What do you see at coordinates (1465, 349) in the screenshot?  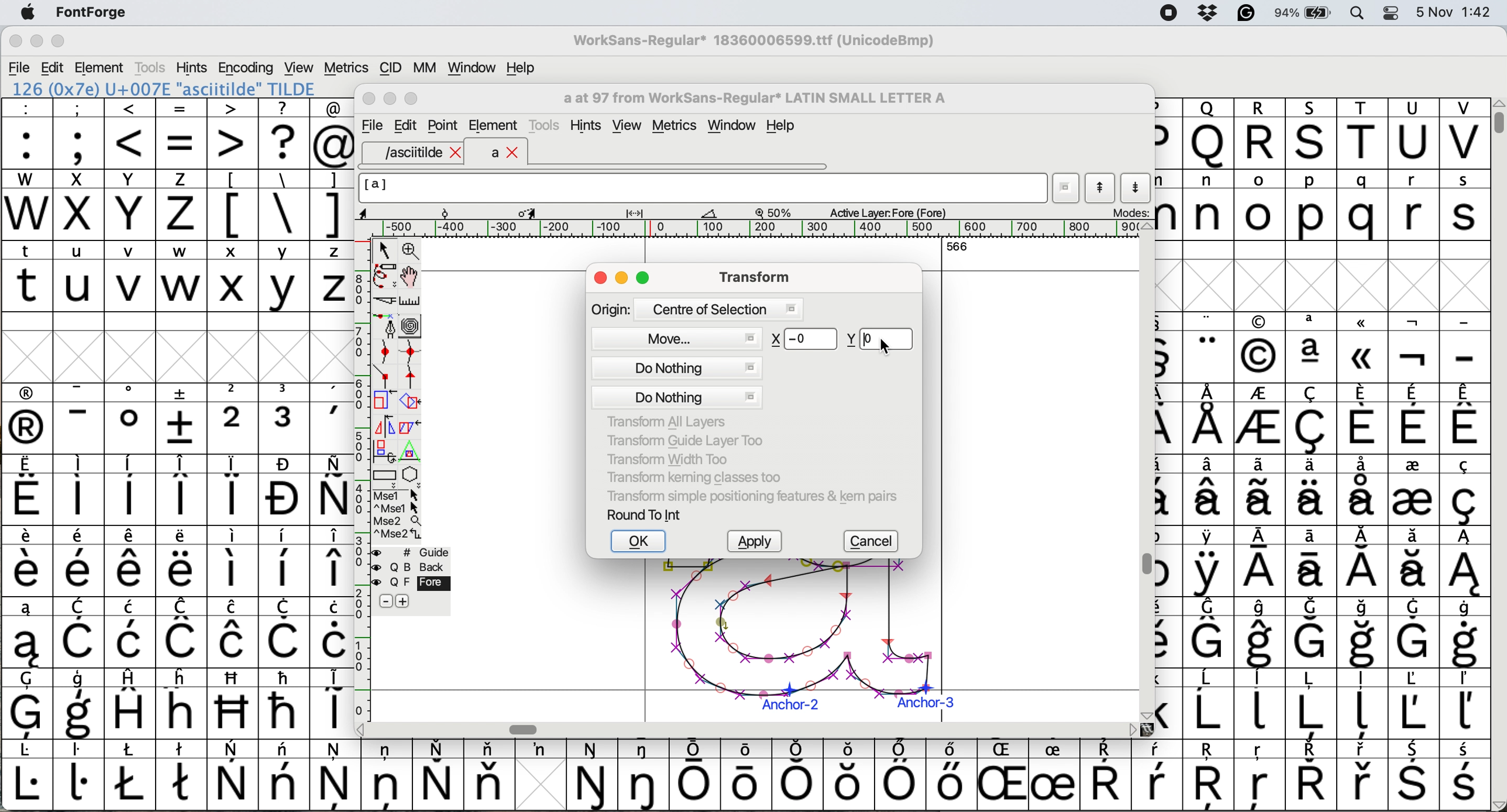 I see `-` at bounding box center [1465, 349].